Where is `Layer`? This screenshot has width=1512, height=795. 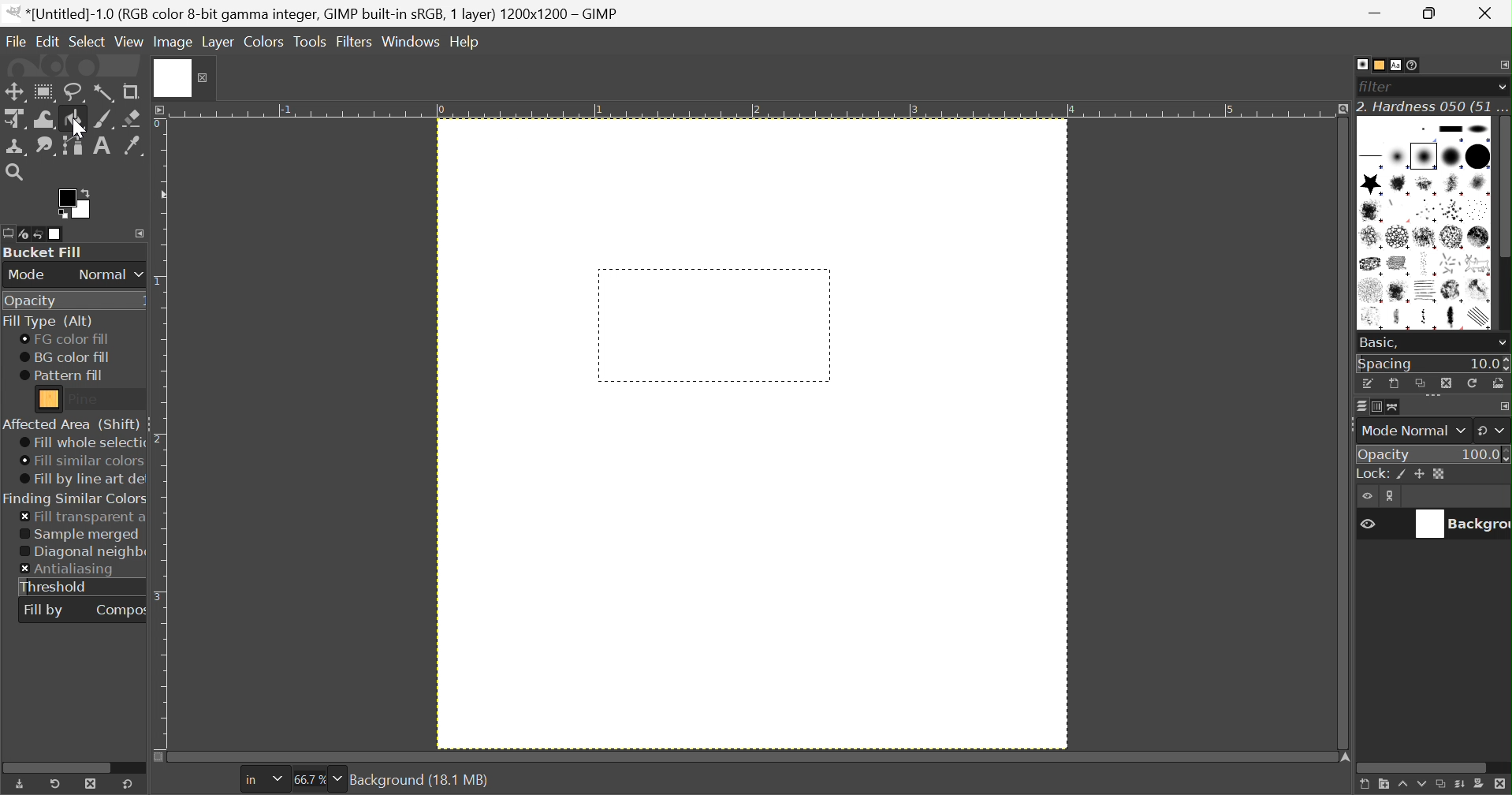
Layer is located at coordinates (218, 42).